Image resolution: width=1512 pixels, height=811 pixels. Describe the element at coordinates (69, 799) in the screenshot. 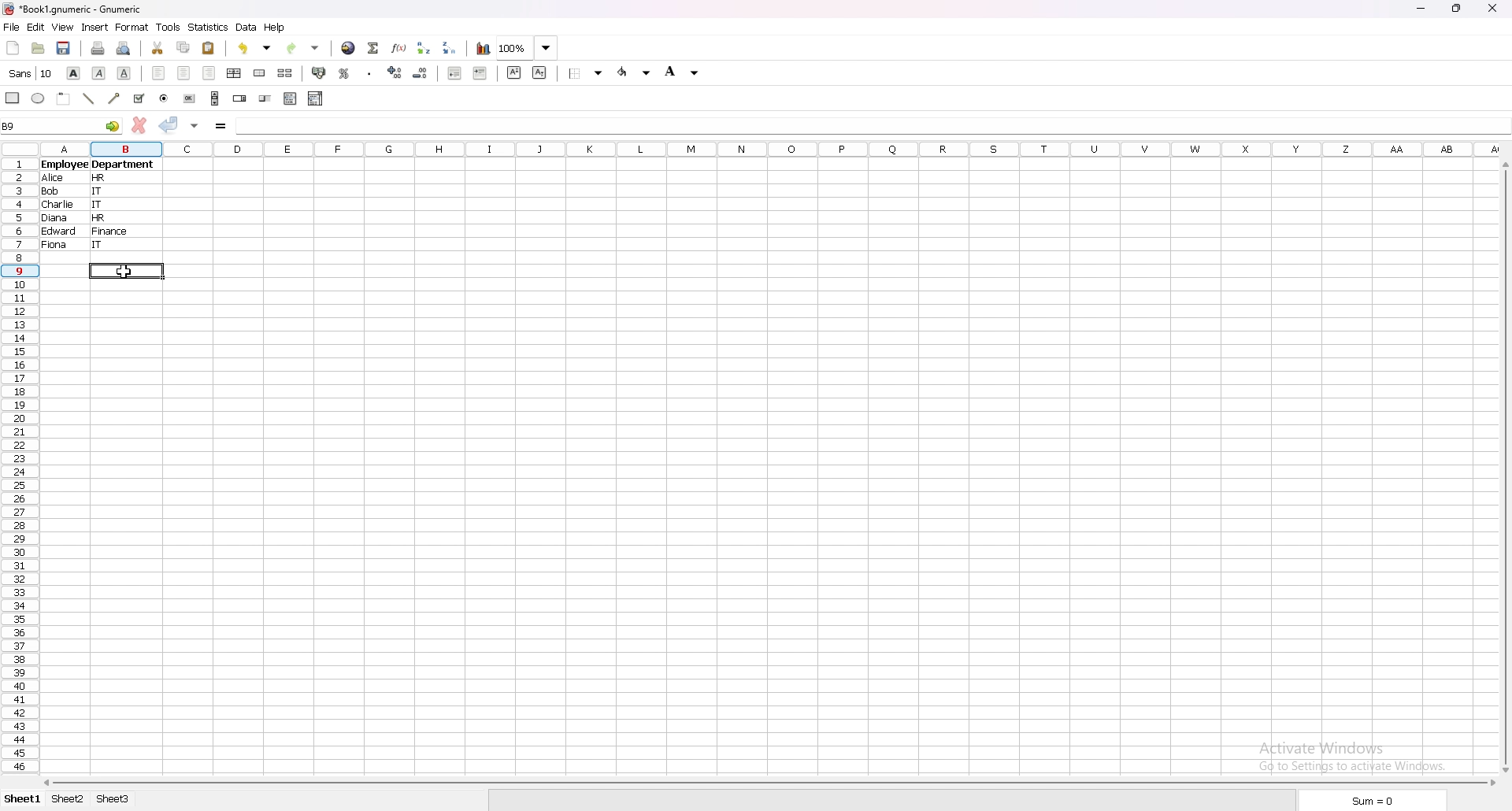

I see `sheet 2` at that location.